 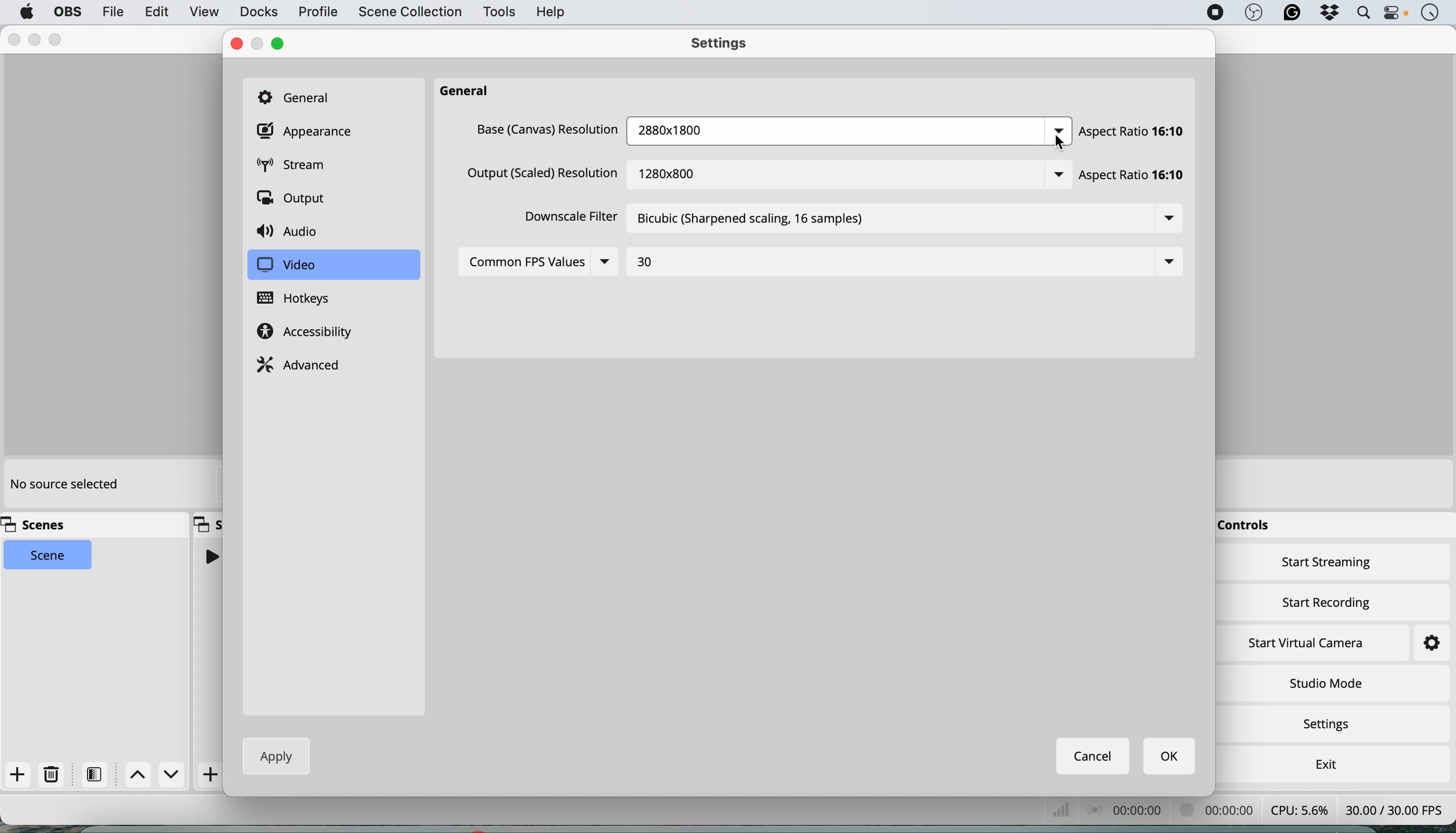 I want to click on tools, so click(x=498, y=13).